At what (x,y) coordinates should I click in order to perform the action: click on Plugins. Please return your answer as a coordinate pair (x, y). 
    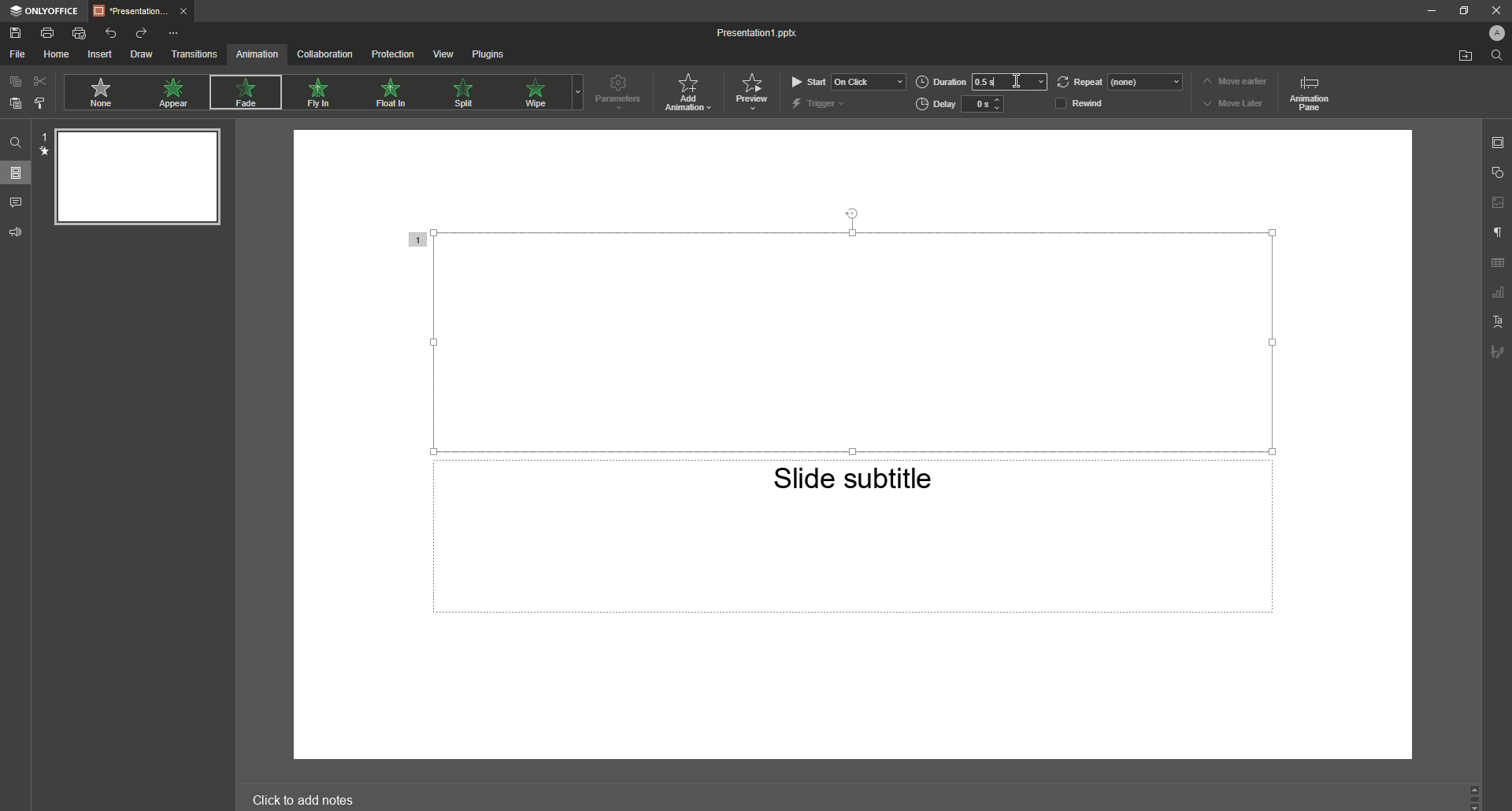
    Looking at the image, I should click on (487, 54).